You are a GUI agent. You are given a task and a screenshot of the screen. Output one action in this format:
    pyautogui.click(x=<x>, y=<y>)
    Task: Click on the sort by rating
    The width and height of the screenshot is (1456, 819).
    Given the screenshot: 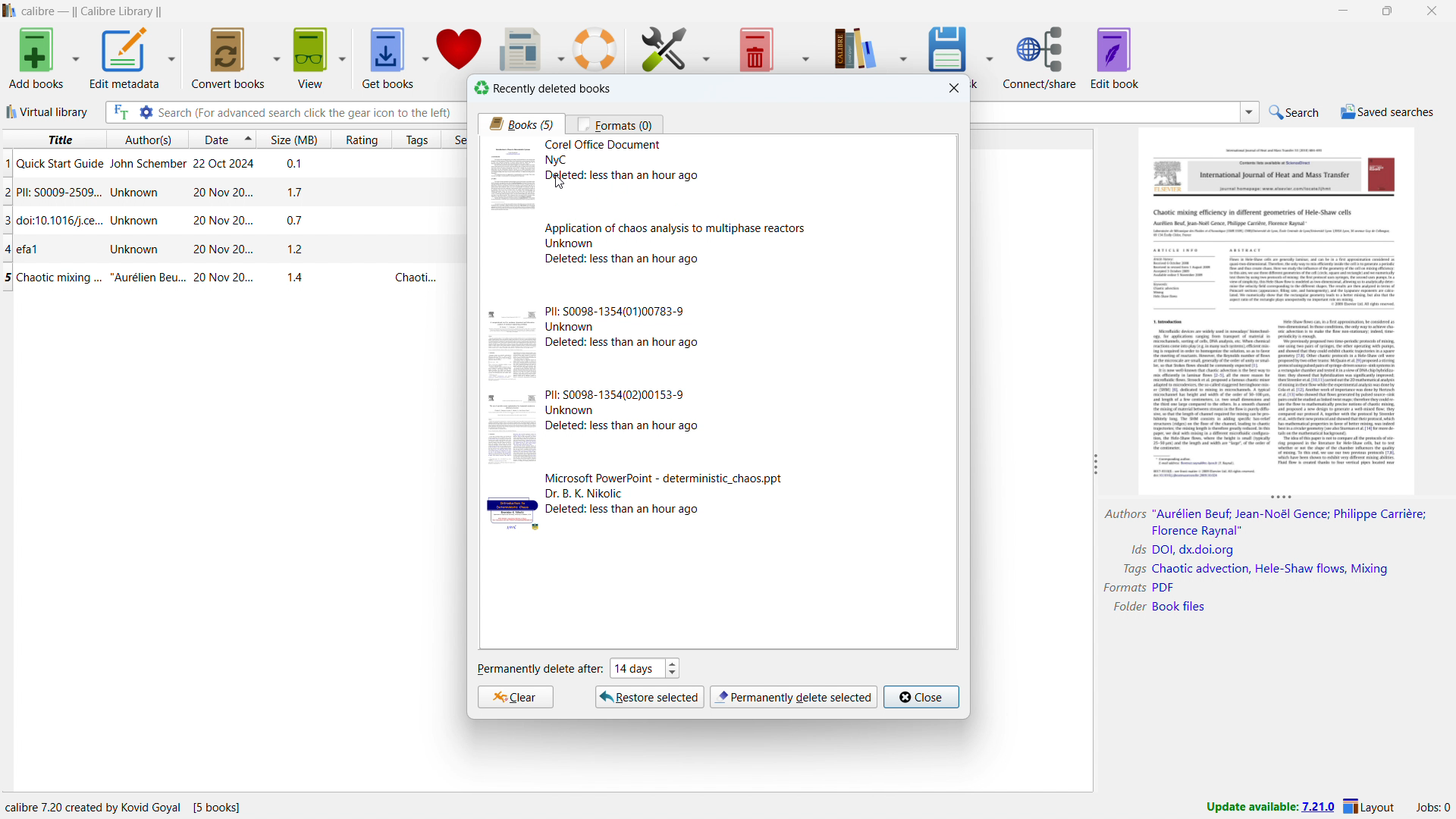 What is the action you would take?
    pyautogui.click(x=362, y=140)
    